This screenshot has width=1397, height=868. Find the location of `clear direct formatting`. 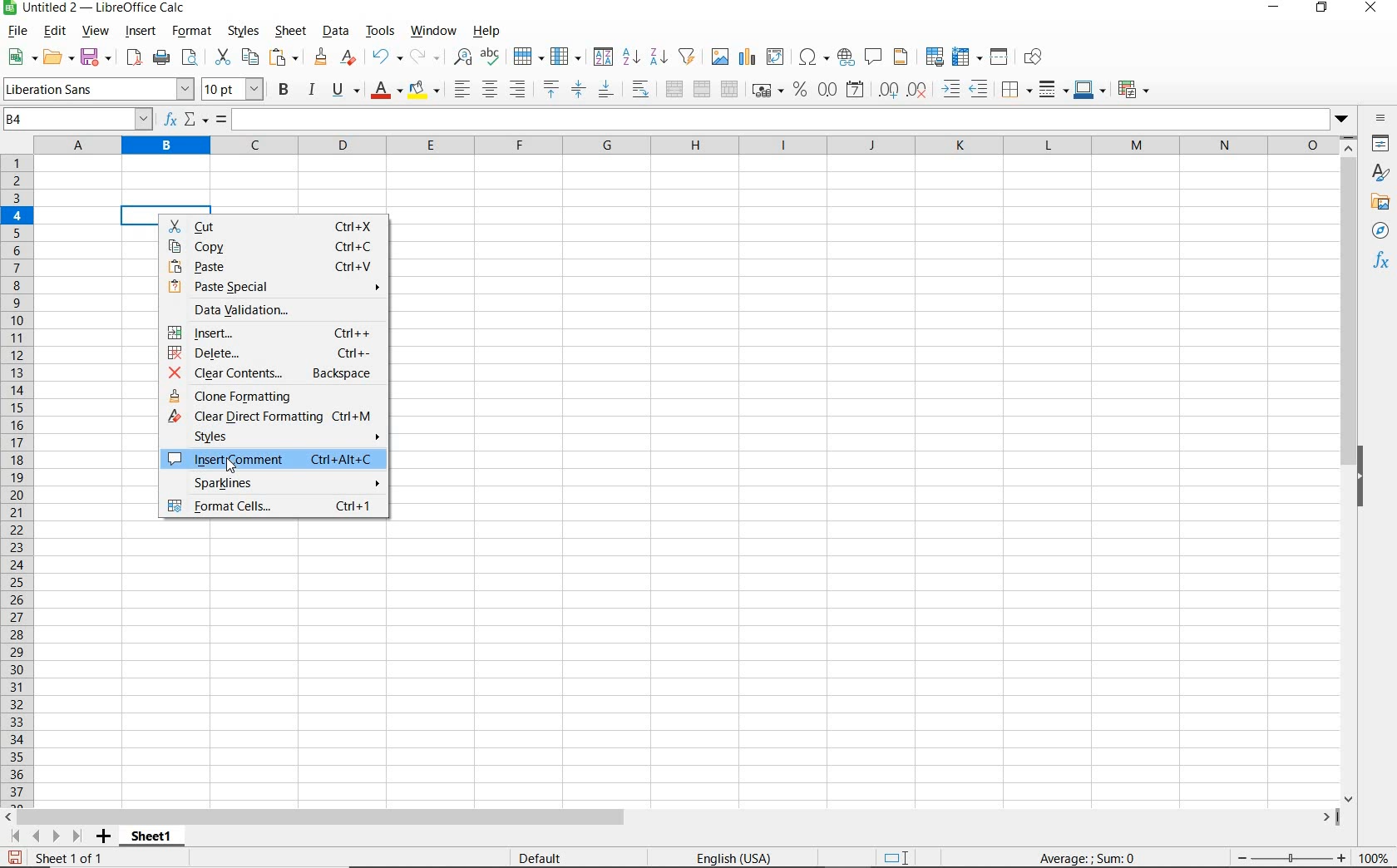

clear direct formatting is located at coordinates (350, 59).